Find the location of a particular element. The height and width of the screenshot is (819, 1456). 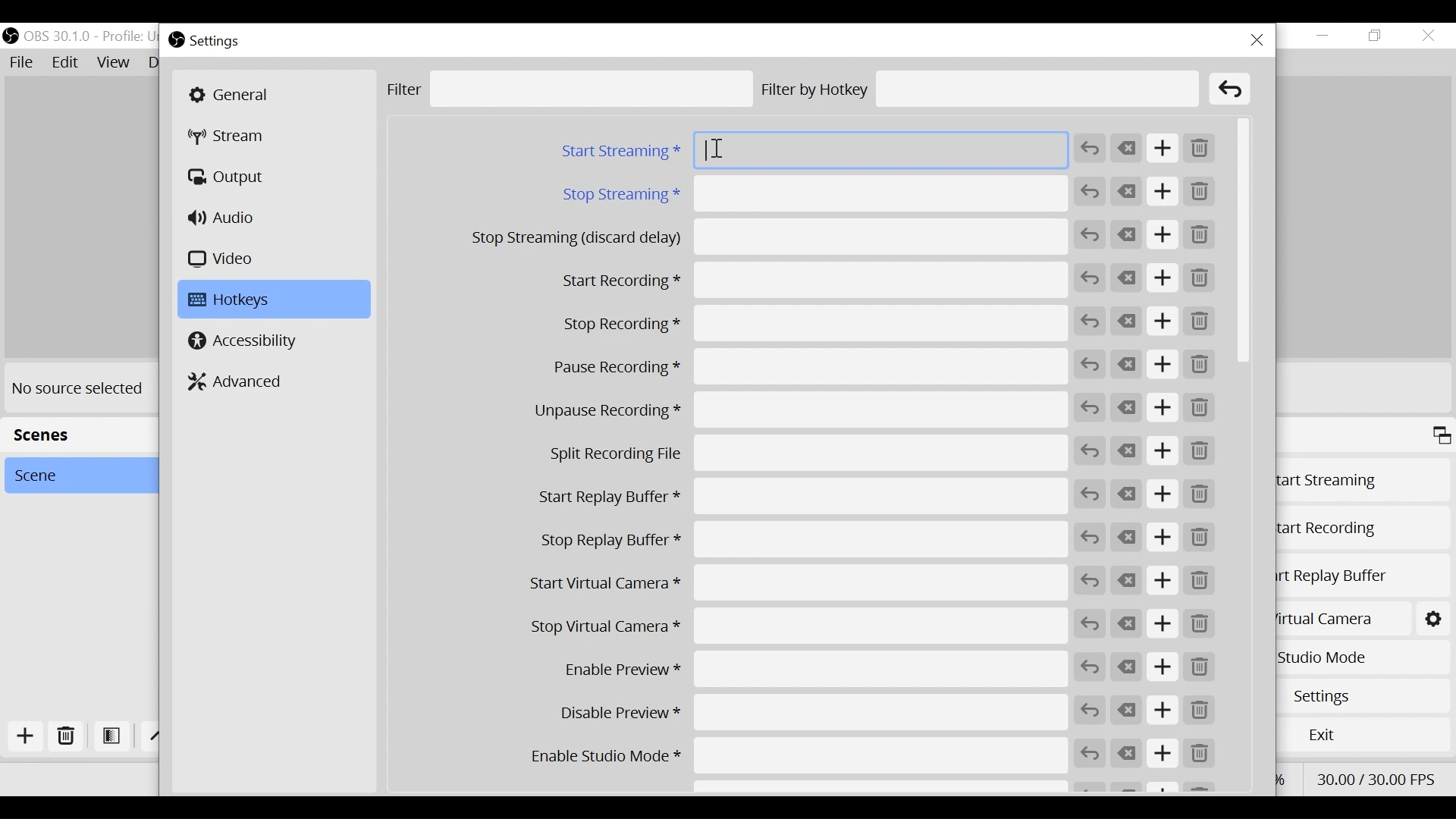

Disable Preview is located at coordinates (799, 714).